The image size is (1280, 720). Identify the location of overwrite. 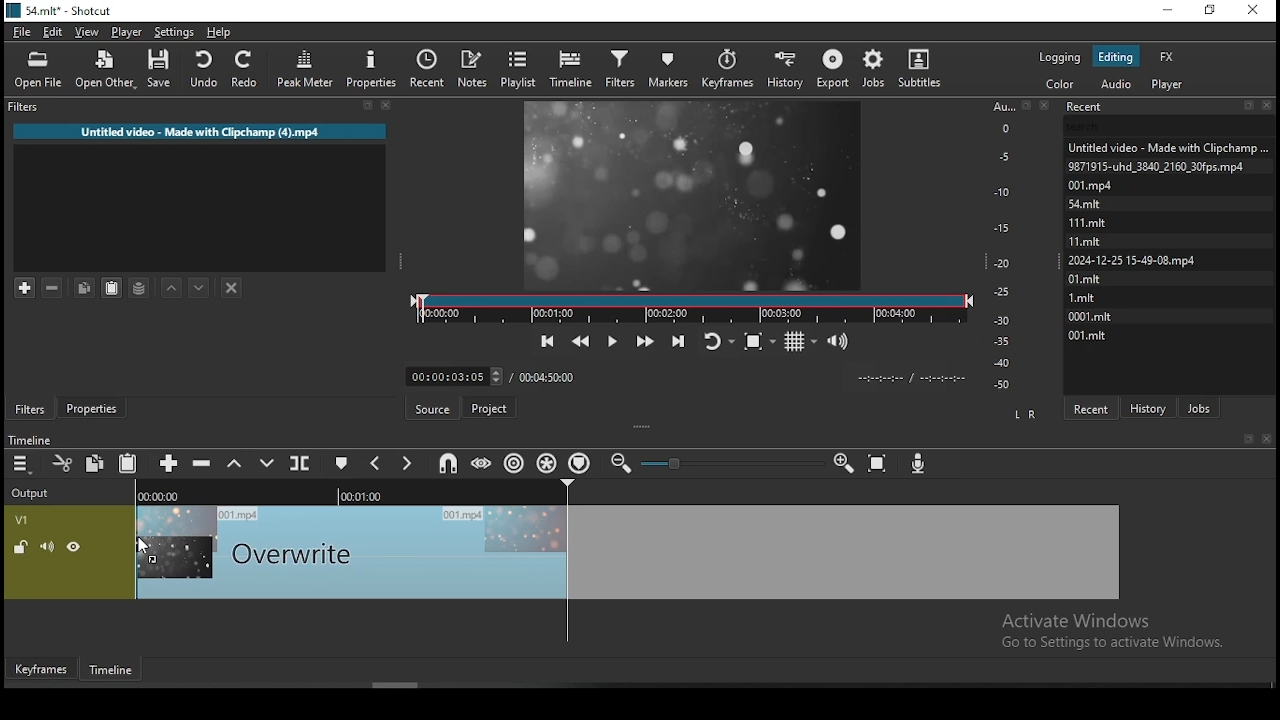
(267, 462).